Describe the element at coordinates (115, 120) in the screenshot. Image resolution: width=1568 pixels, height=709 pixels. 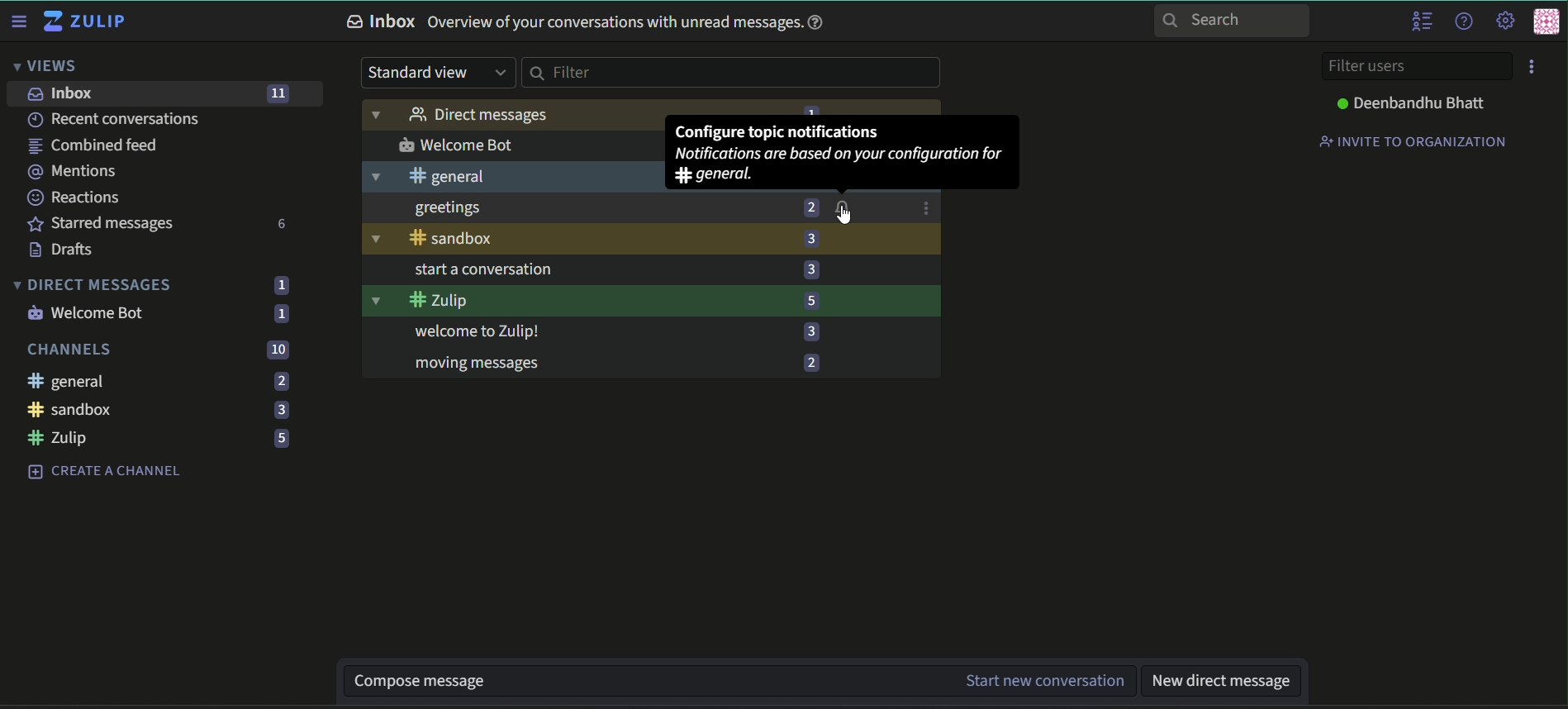
I see `recent conversations` at that location.